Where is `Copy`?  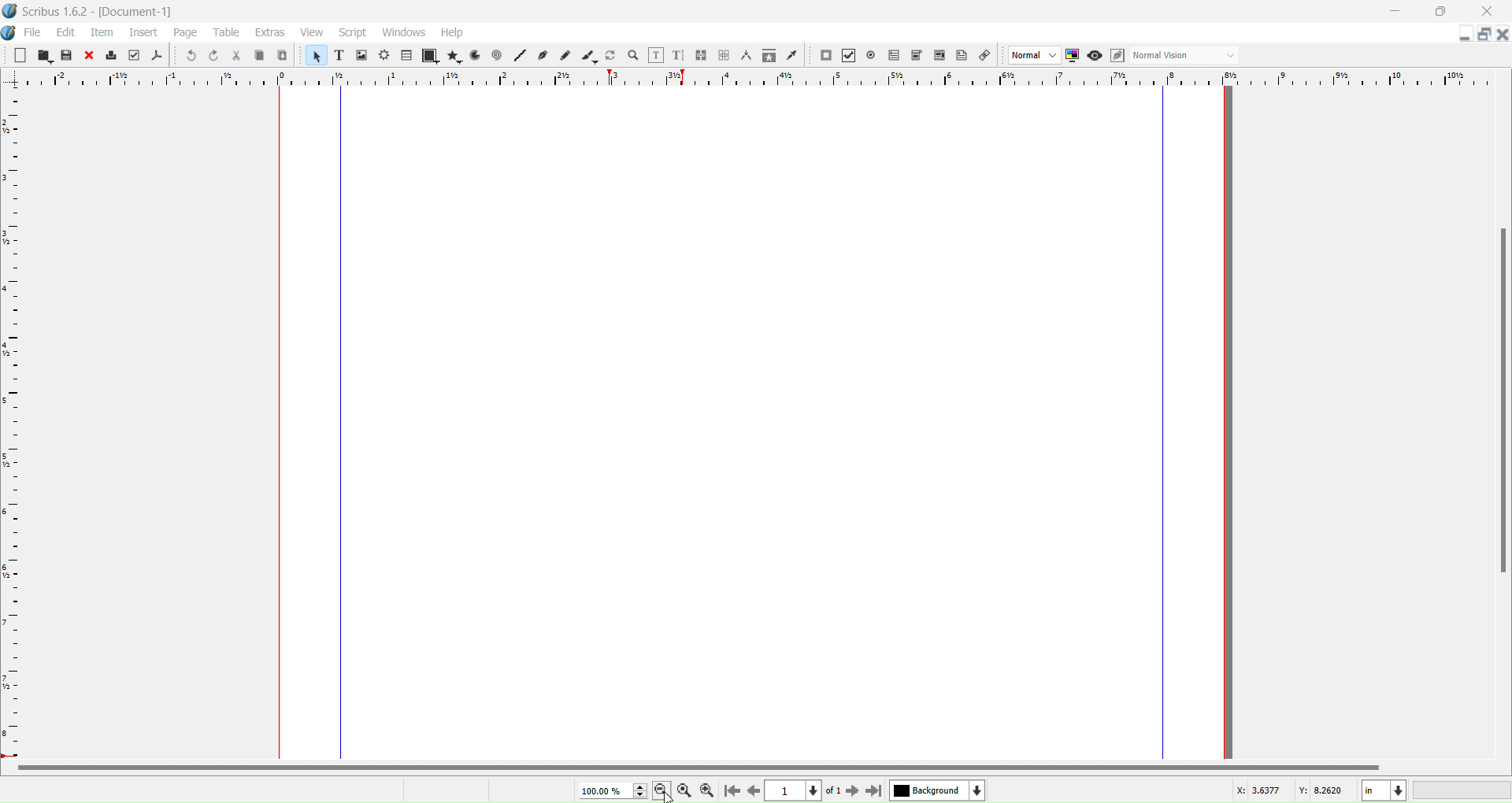
Copy is located at coordinates (259, 56).